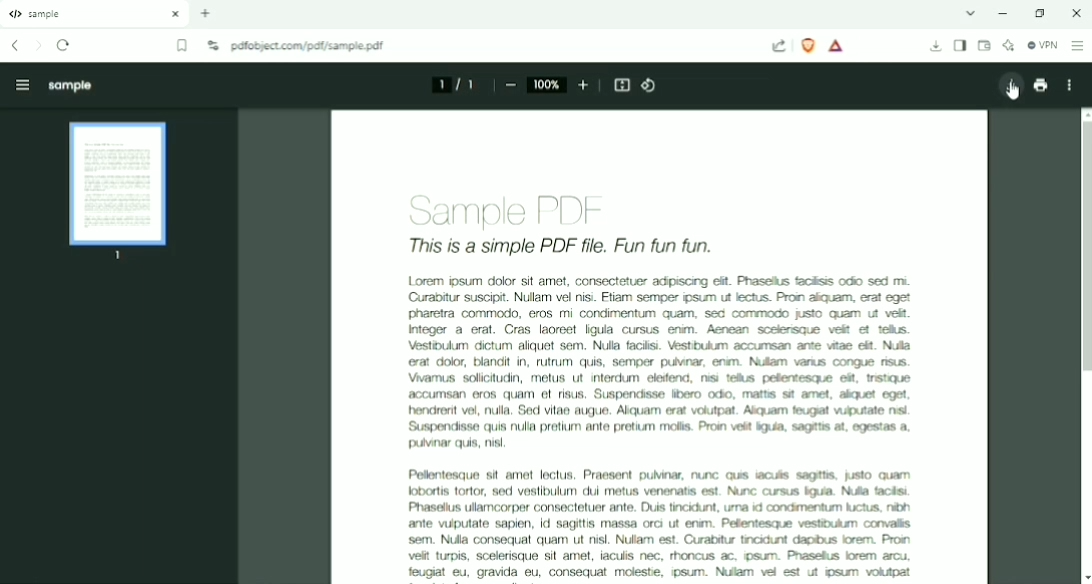 This screenshot has height=584, width=1092. Describe the element at coordinates (452, 84) in the screenshot. I see `Page number` at that location.